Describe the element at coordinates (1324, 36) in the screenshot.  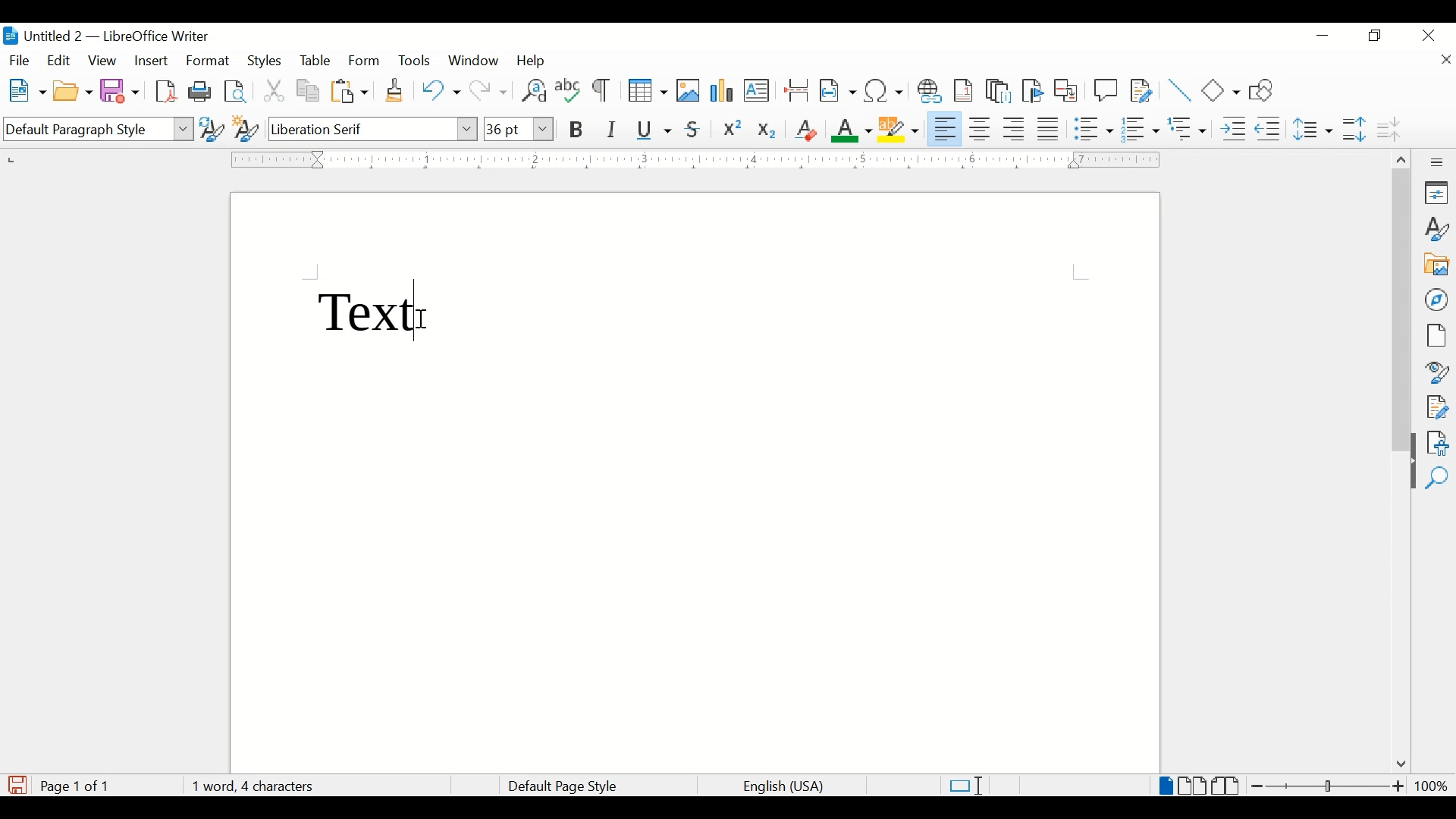
I see `minimize` at that location.